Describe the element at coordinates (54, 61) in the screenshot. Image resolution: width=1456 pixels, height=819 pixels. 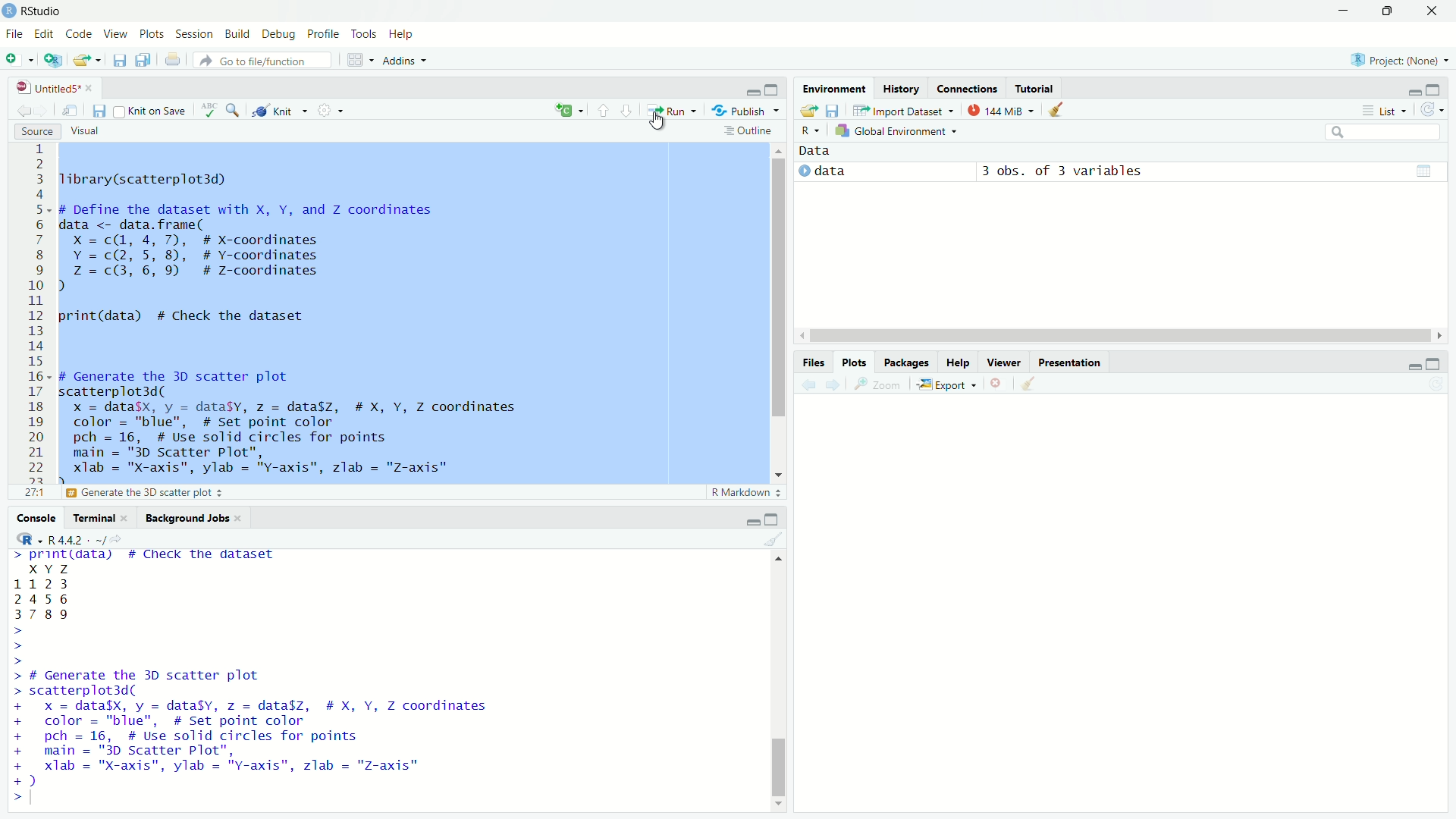
I see `create a project` at that location.